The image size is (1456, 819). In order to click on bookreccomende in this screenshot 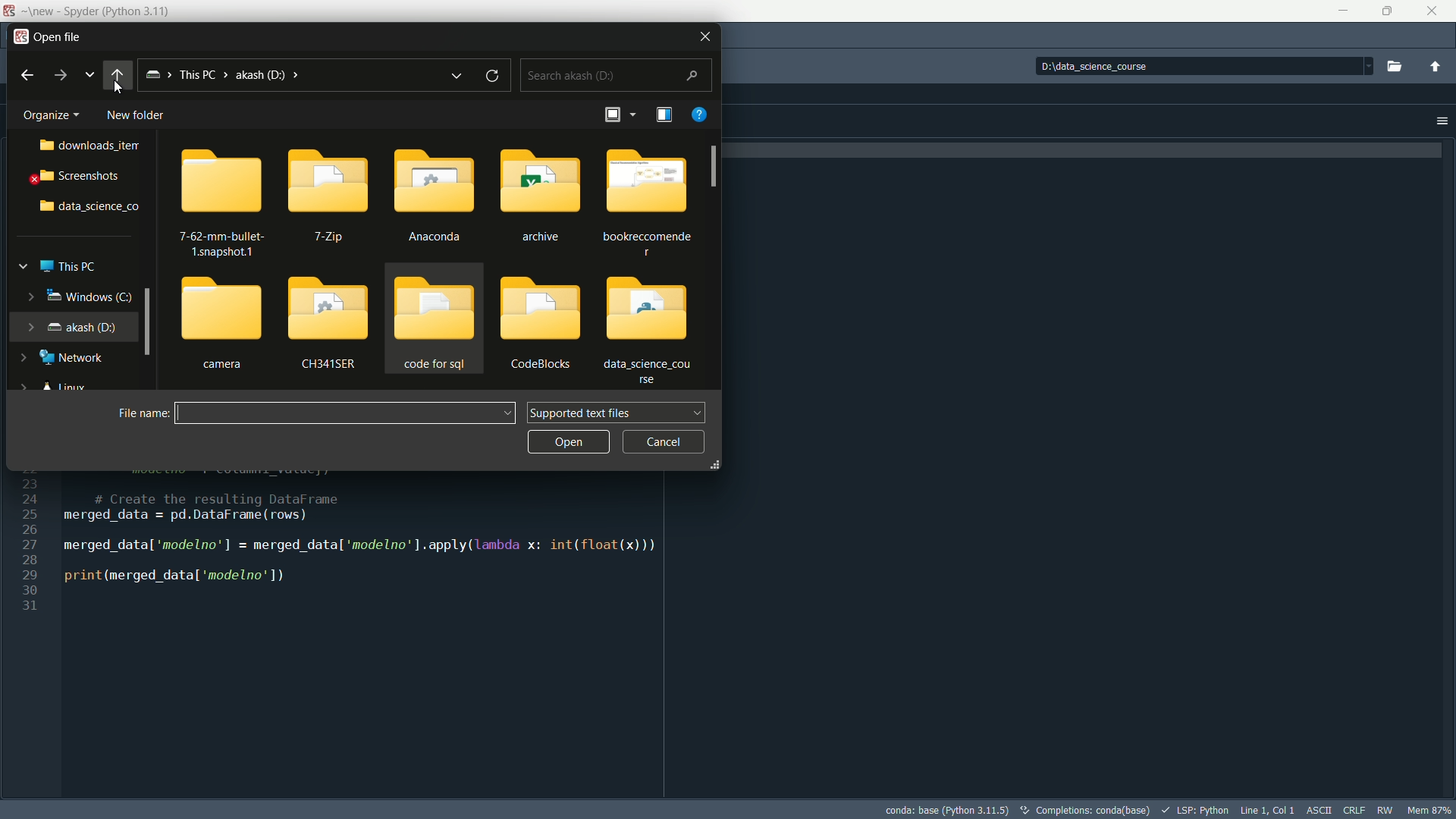, I will do `click(654, 197)`.